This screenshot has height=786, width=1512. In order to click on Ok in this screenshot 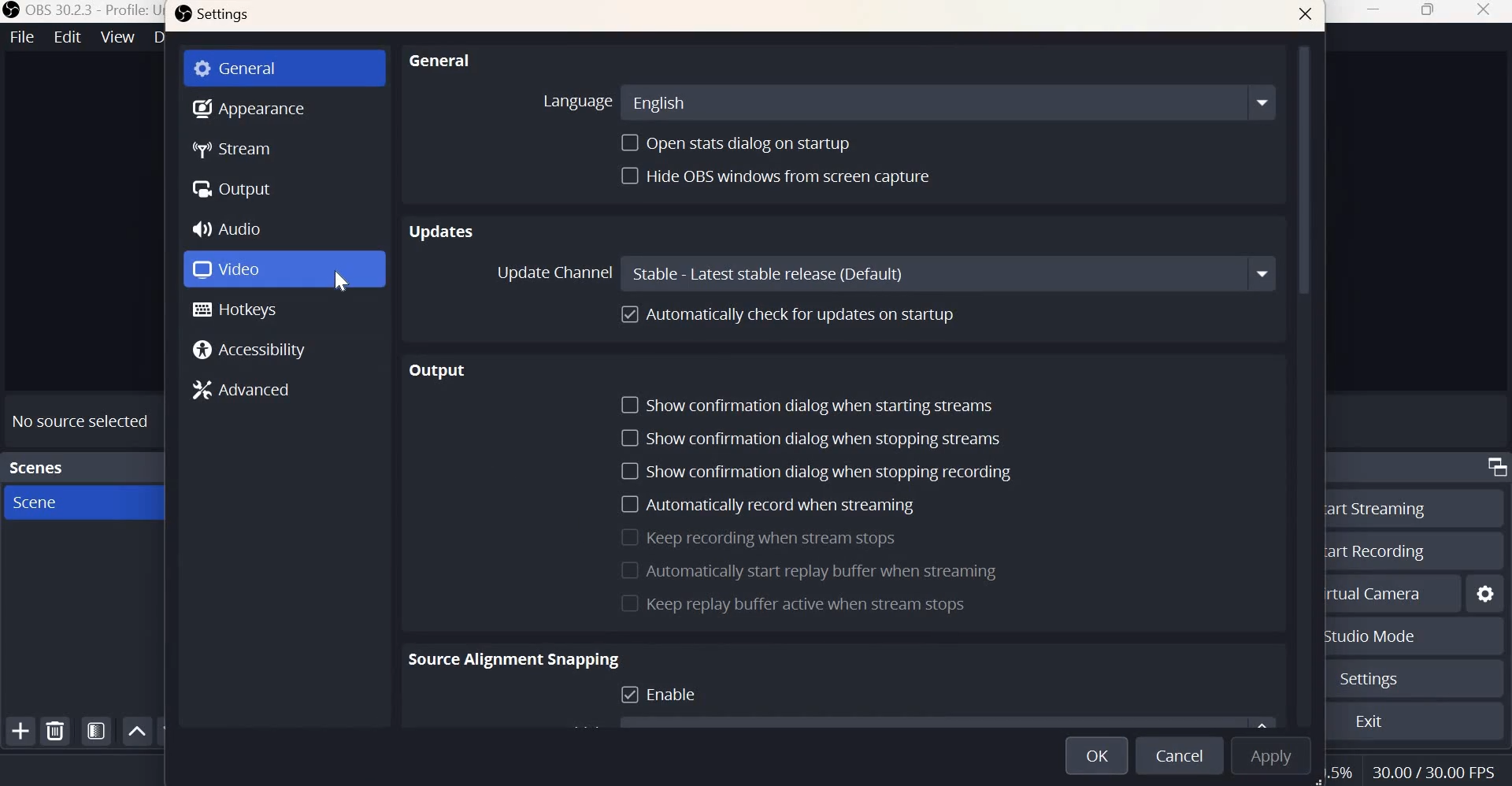, I will do `click(1095, 757)`.